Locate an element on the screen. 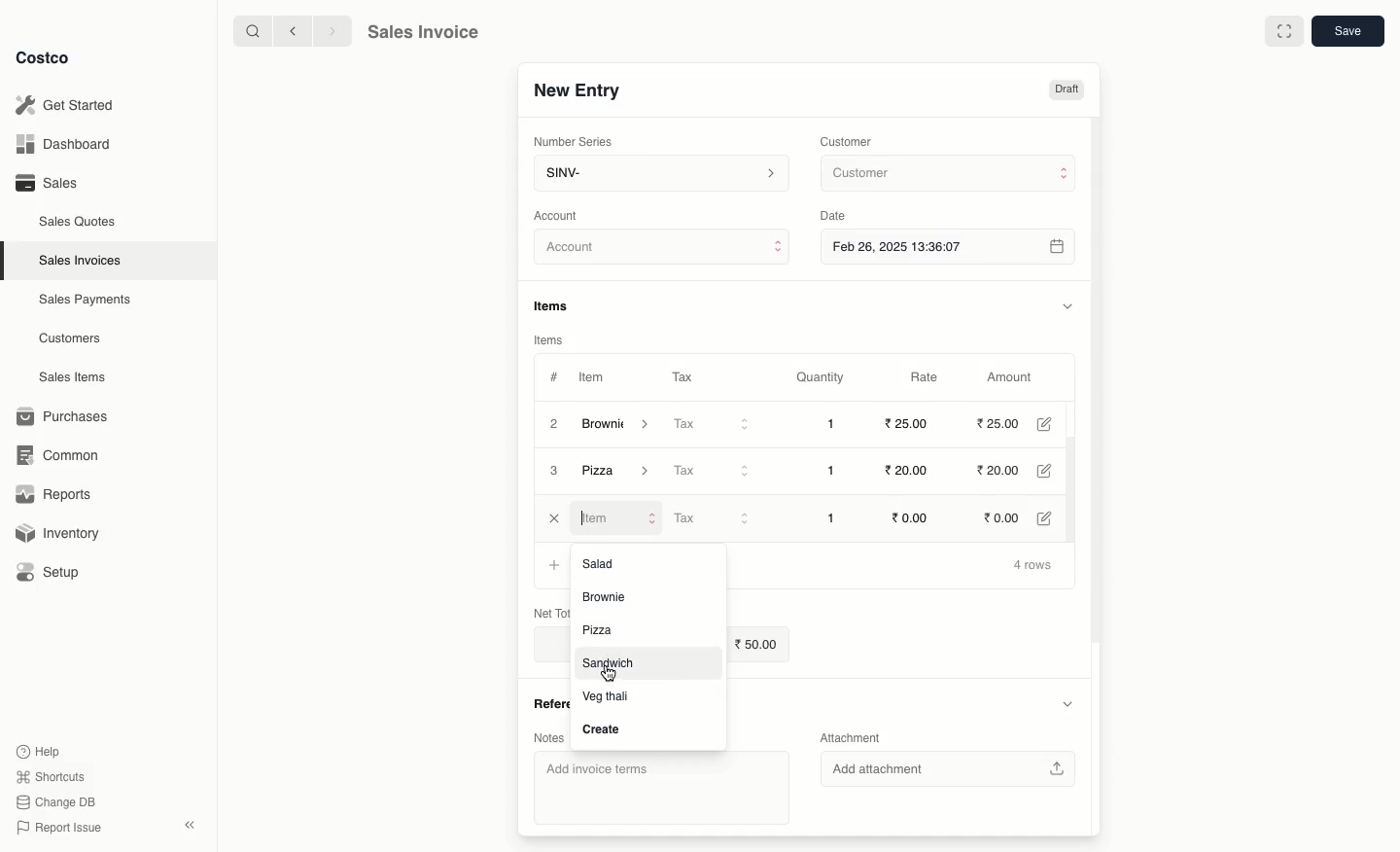 This screenshot has height=852, width=1400. References is located at coordinates (544, 702).